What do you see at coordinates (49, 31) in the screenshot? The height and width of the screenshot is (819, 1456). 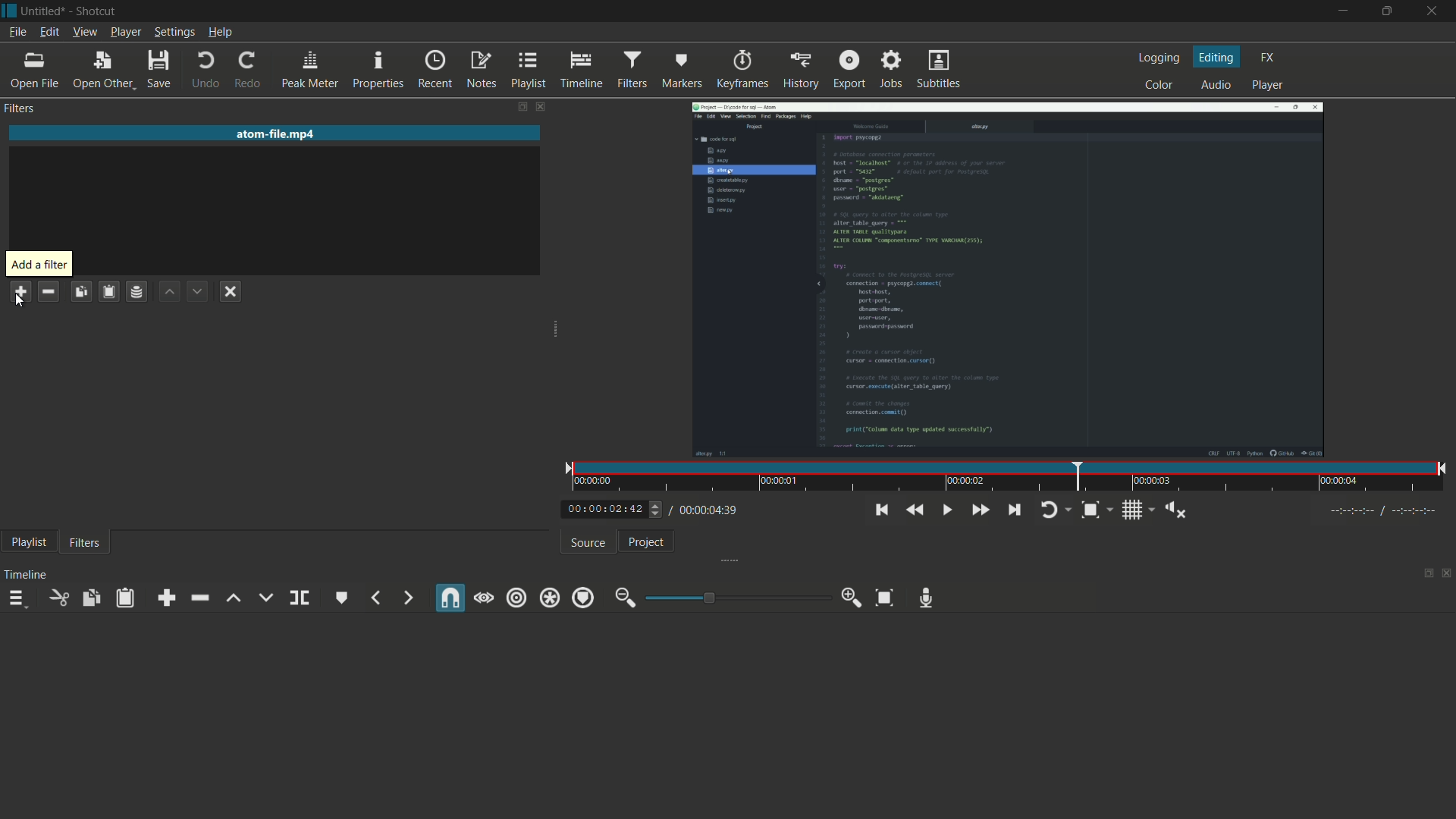 I see `edit menu` at bounding box center [49, 31].